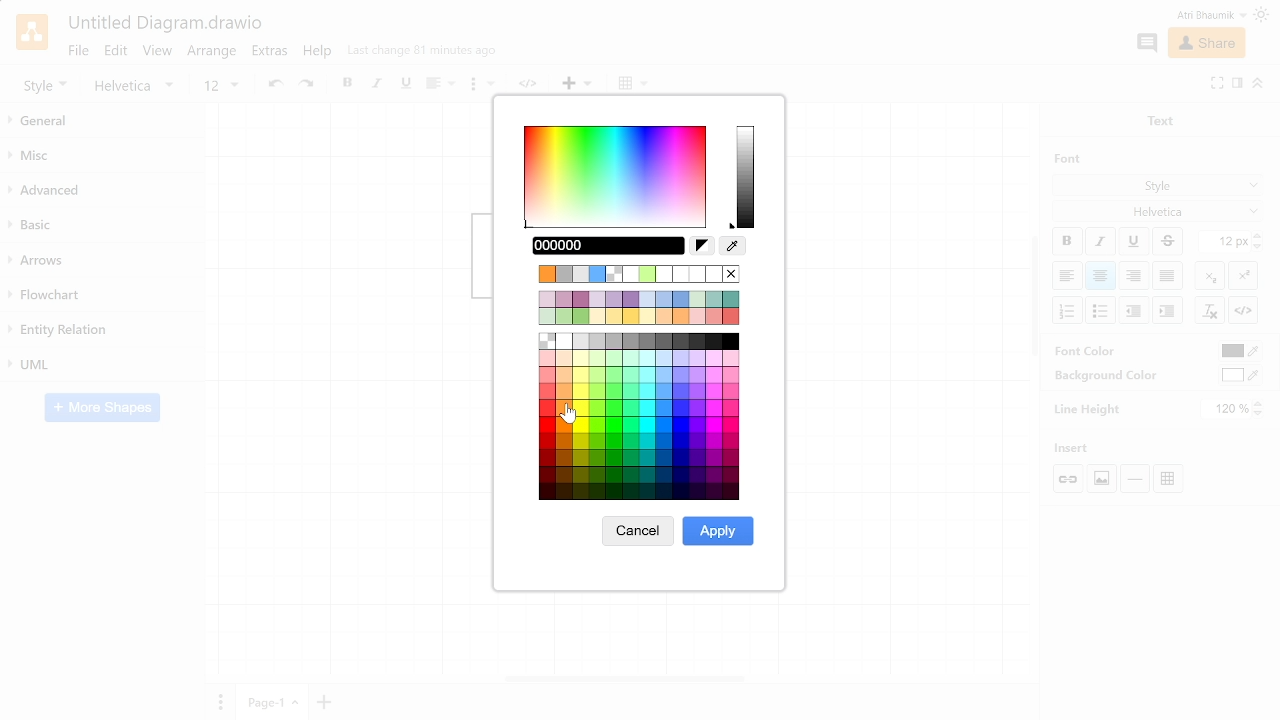  I want to click on font, so click(1062, 158).